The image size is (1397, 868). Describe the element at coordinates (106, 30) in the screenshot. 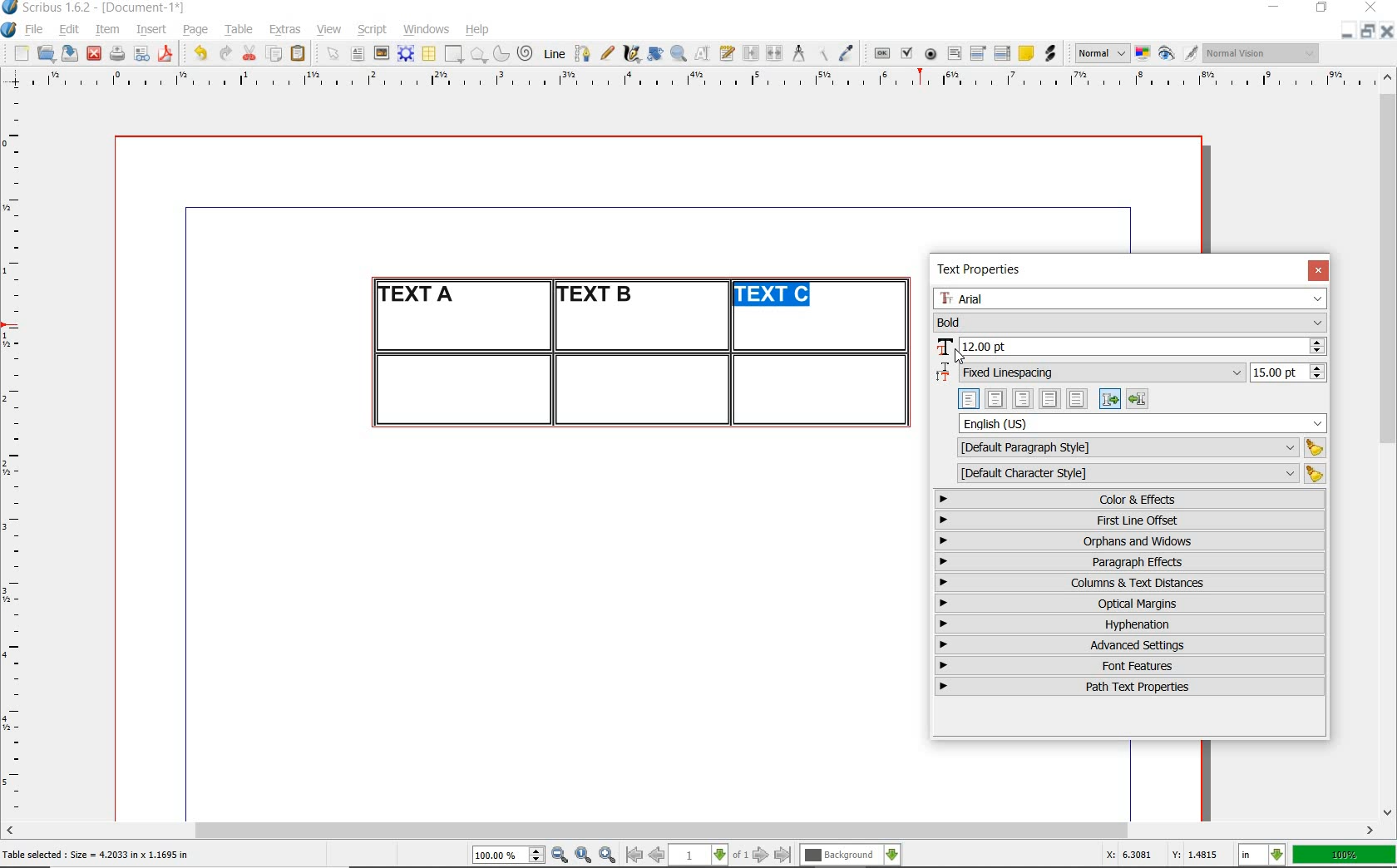

I see `item` at that location.